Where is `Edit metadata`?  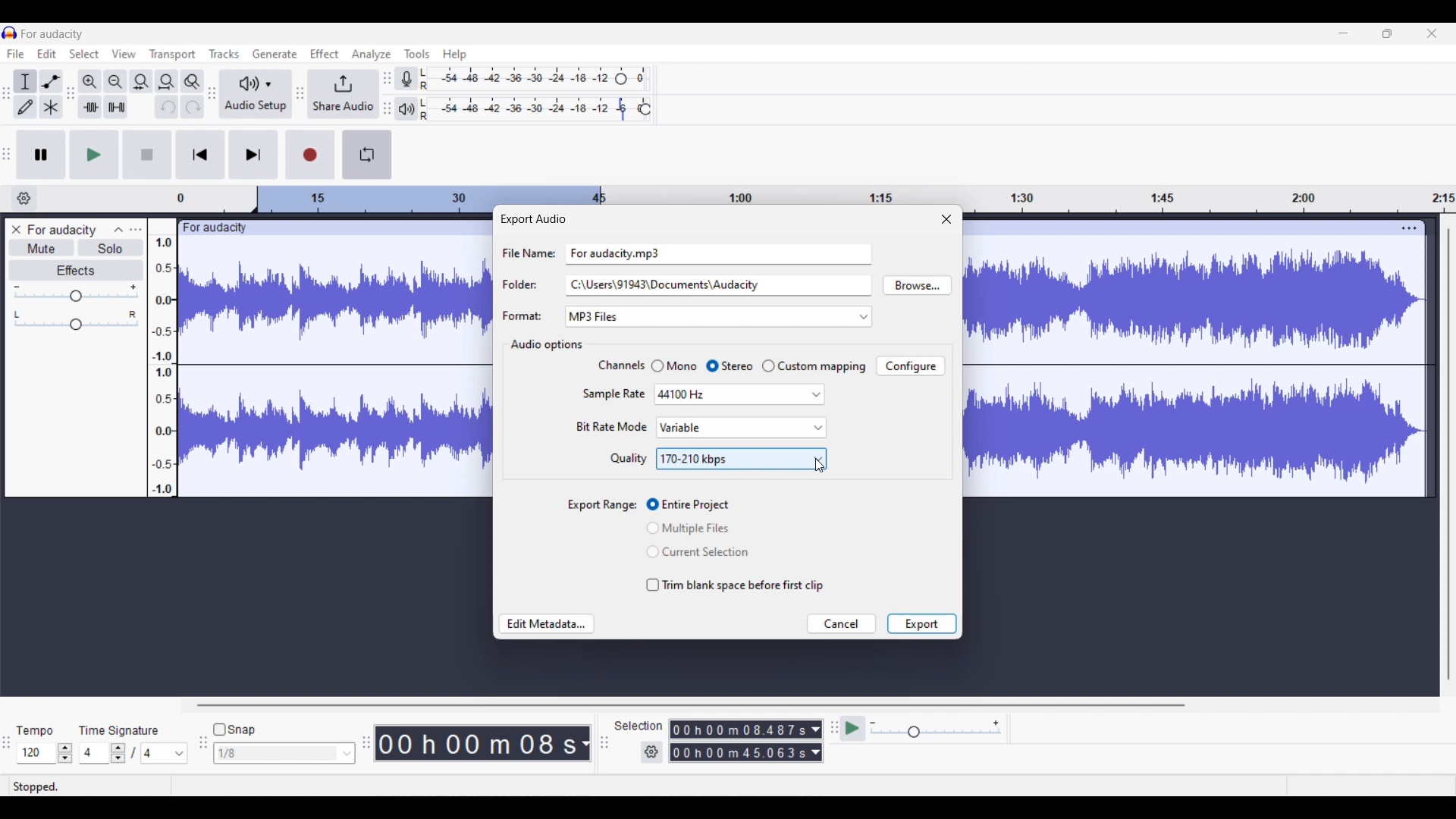
Edit metadata is located at coordinates (546, 624).